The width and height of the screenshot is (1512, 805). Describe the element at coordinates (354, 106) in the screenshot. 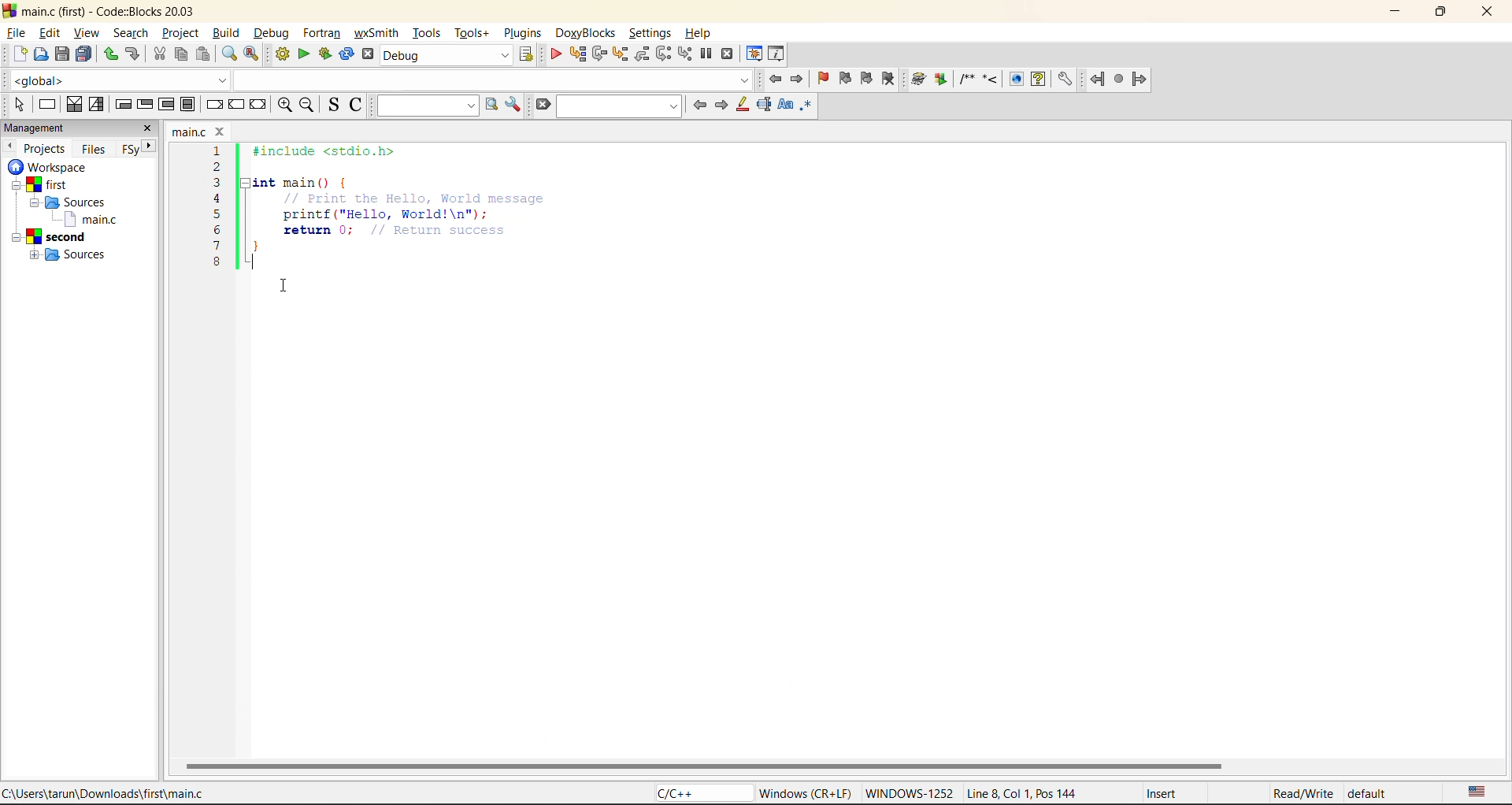

I see `toggle comments` at that location.